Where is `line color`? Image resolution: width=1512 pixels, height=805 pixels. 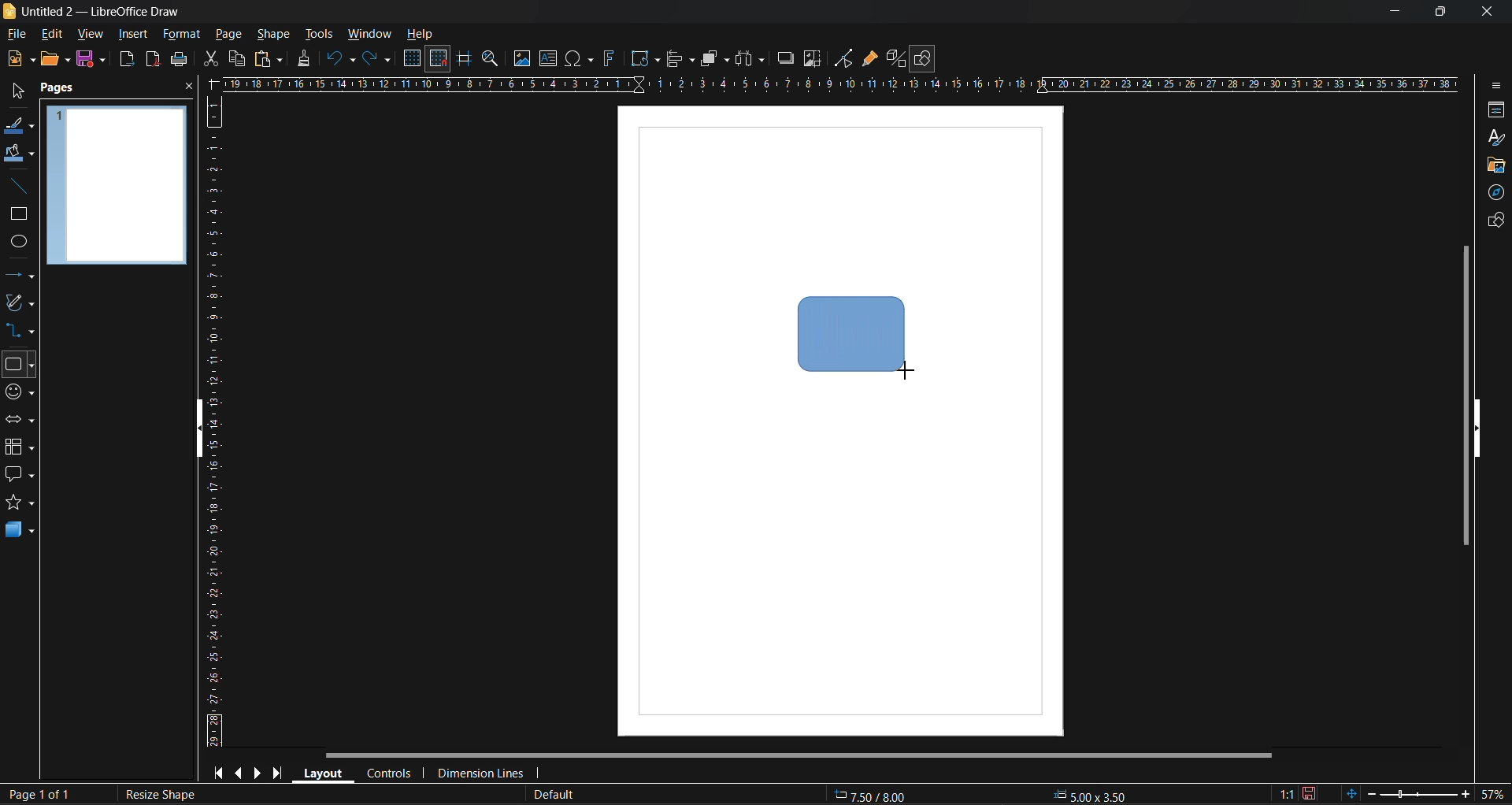 line color is located at coordinates (20, 128).